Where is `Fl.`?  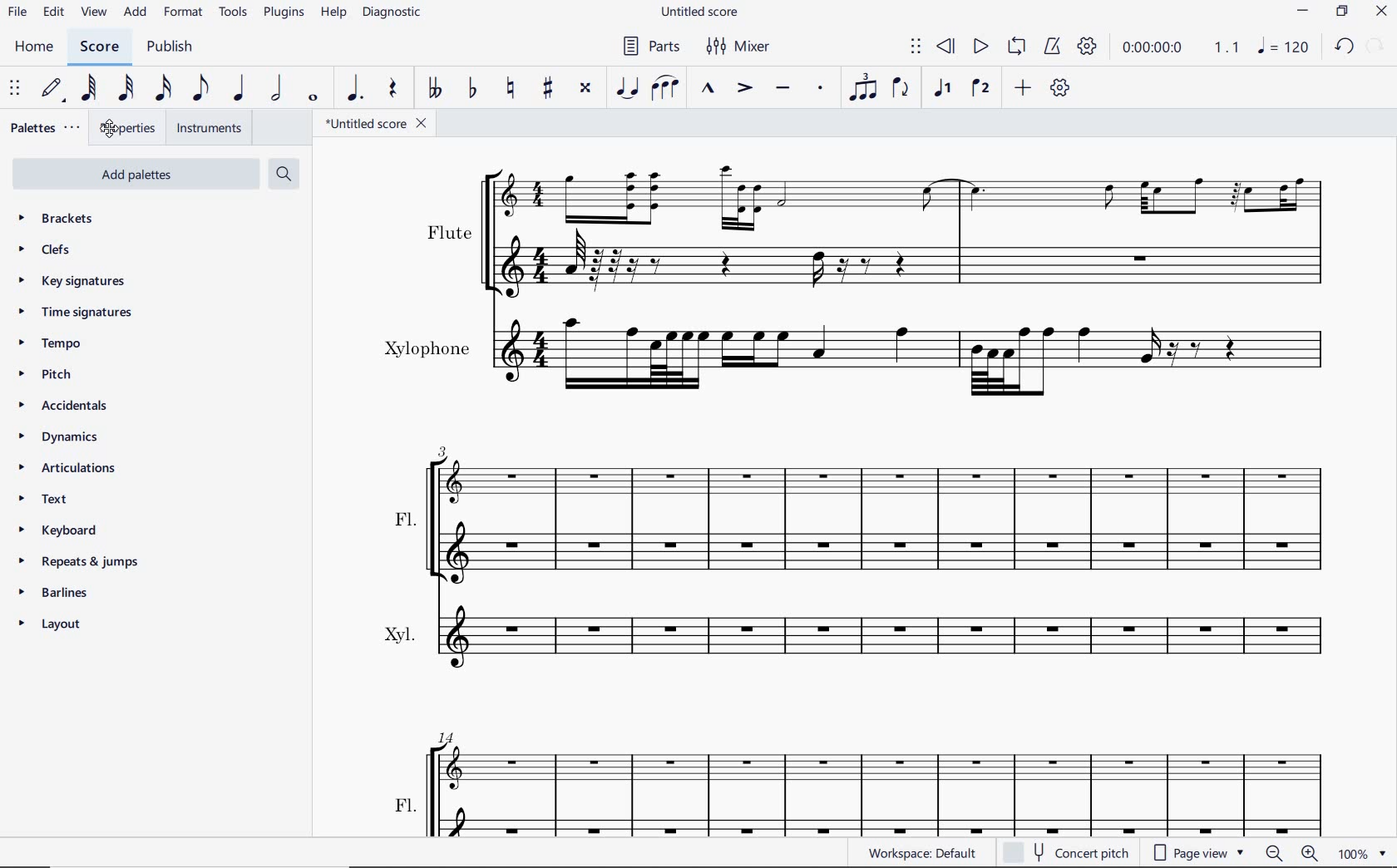 Fl. is located at coordinates (866, 505).